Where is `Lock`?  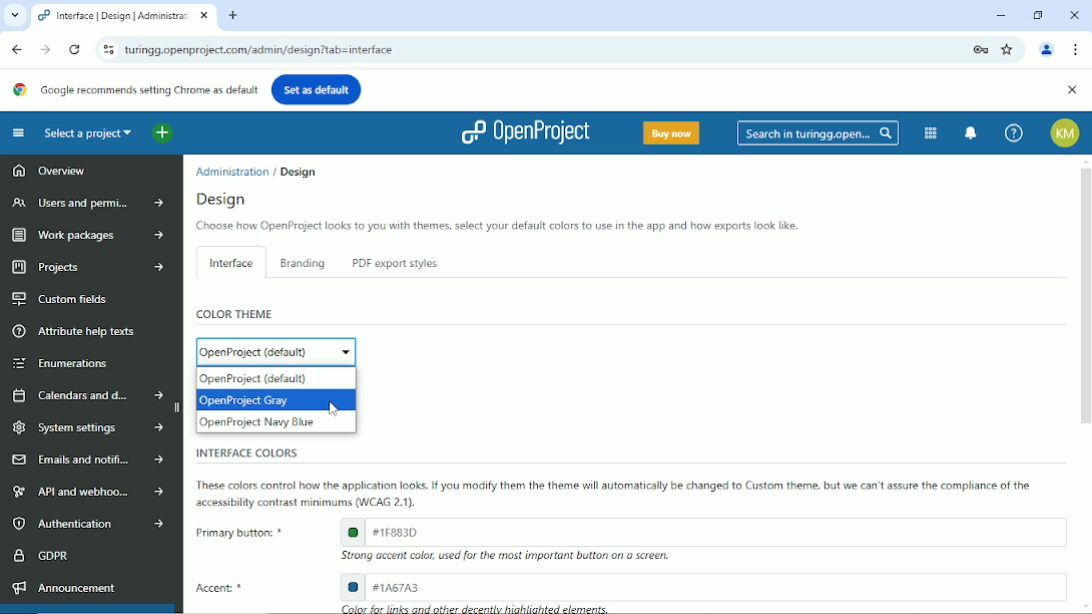 Lock is located at coordinates (980, 48).